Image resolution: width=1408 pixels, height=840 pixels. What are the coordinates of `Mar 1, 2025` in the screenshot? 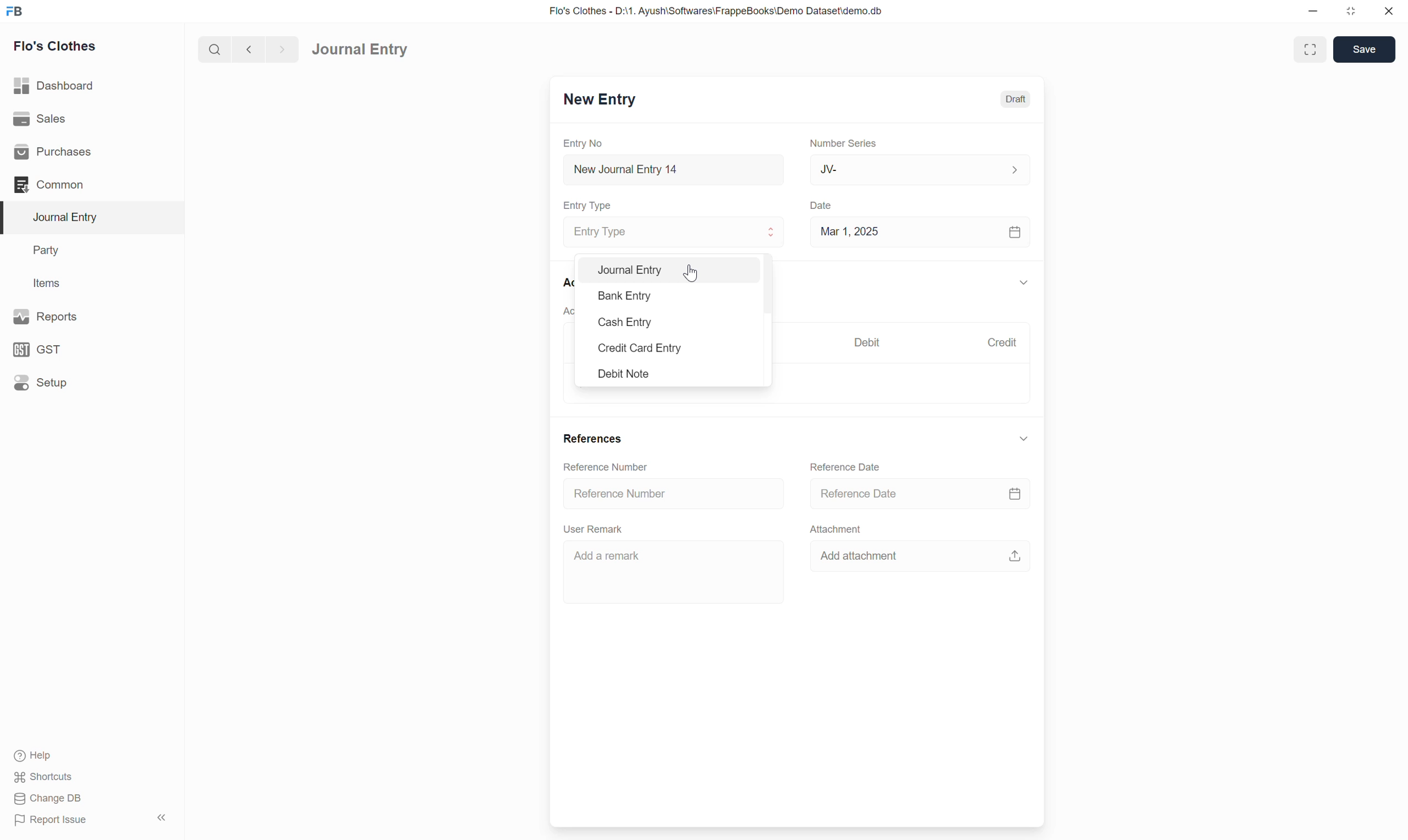 It's located at (850, 231).